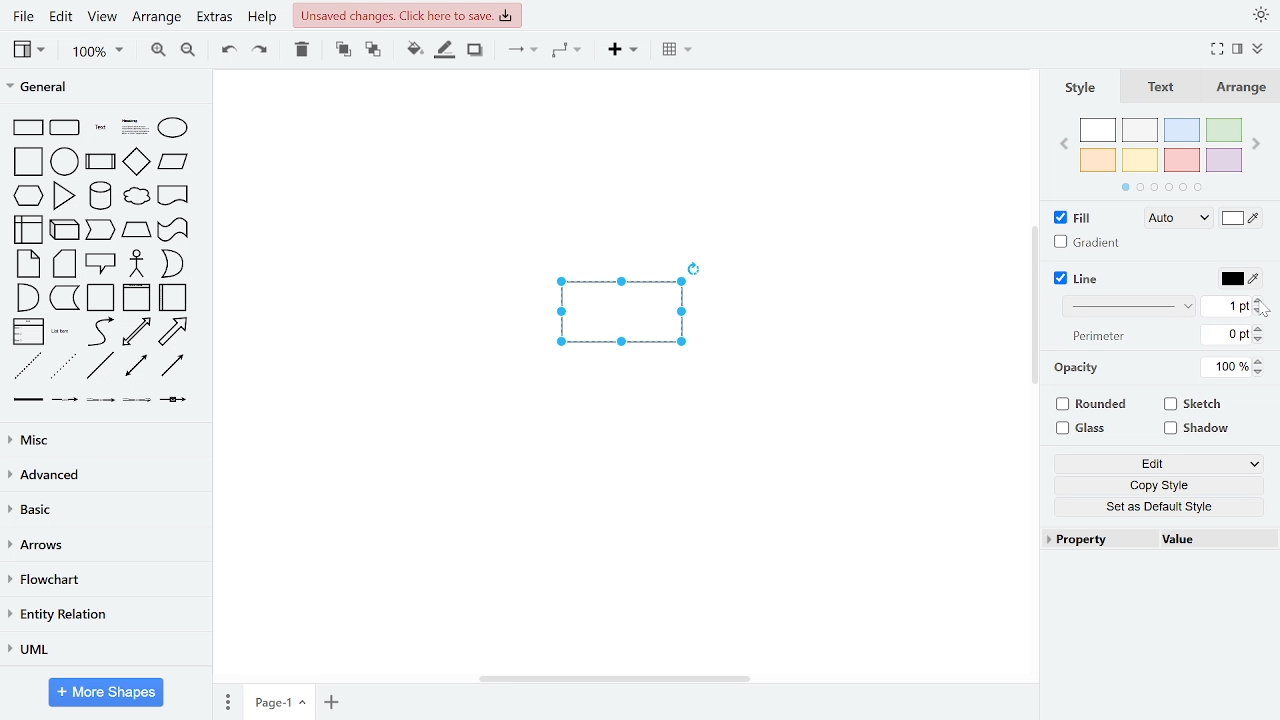 This screenshot has width=1280, height=720. What do you see at coordinates (1067, 146) in the screenshot?
I see `previous` at bounding box center [1067, 146].